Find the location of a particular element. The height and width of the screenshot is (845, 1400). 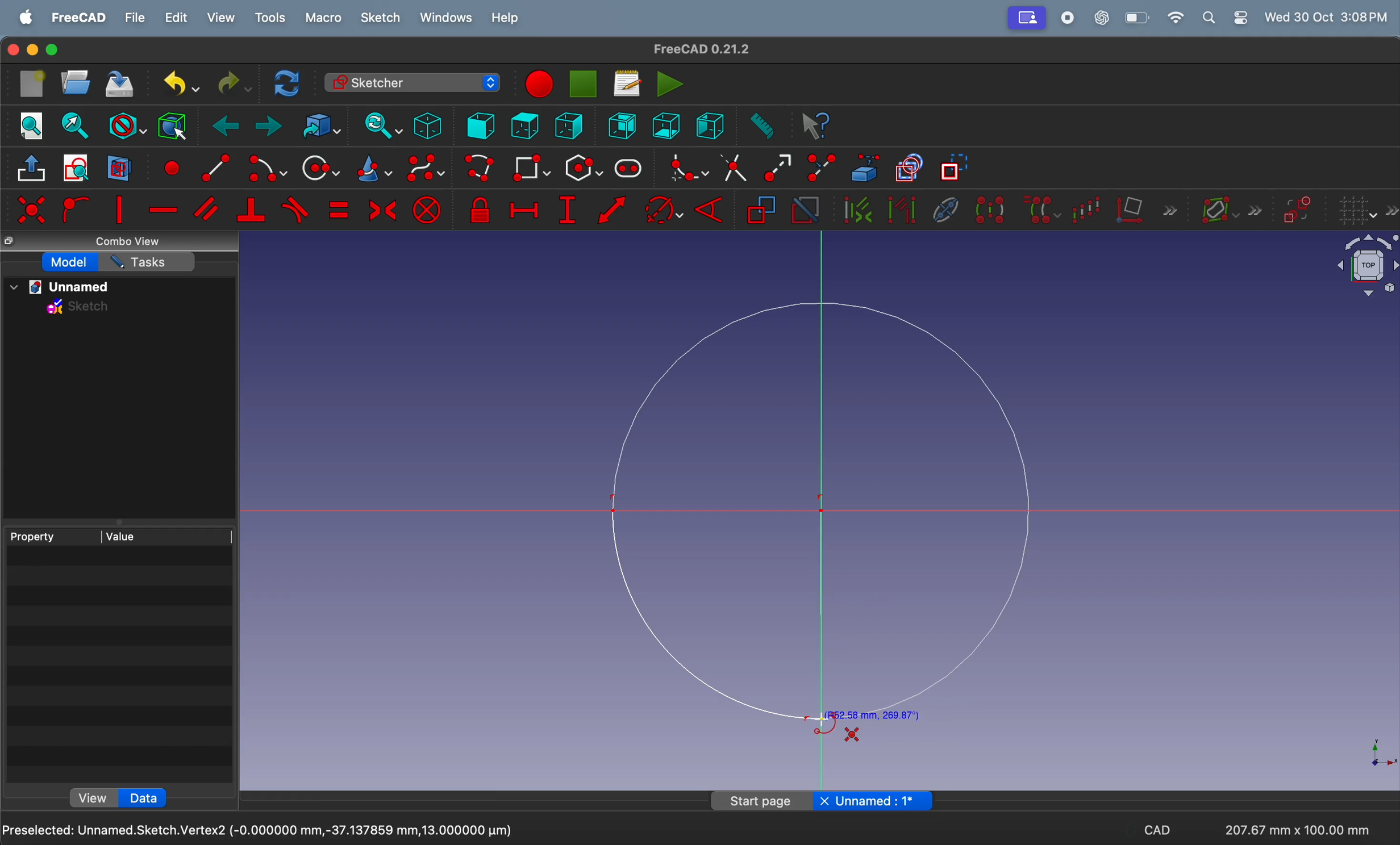

create rectangle is located at coordinates (531, 168).